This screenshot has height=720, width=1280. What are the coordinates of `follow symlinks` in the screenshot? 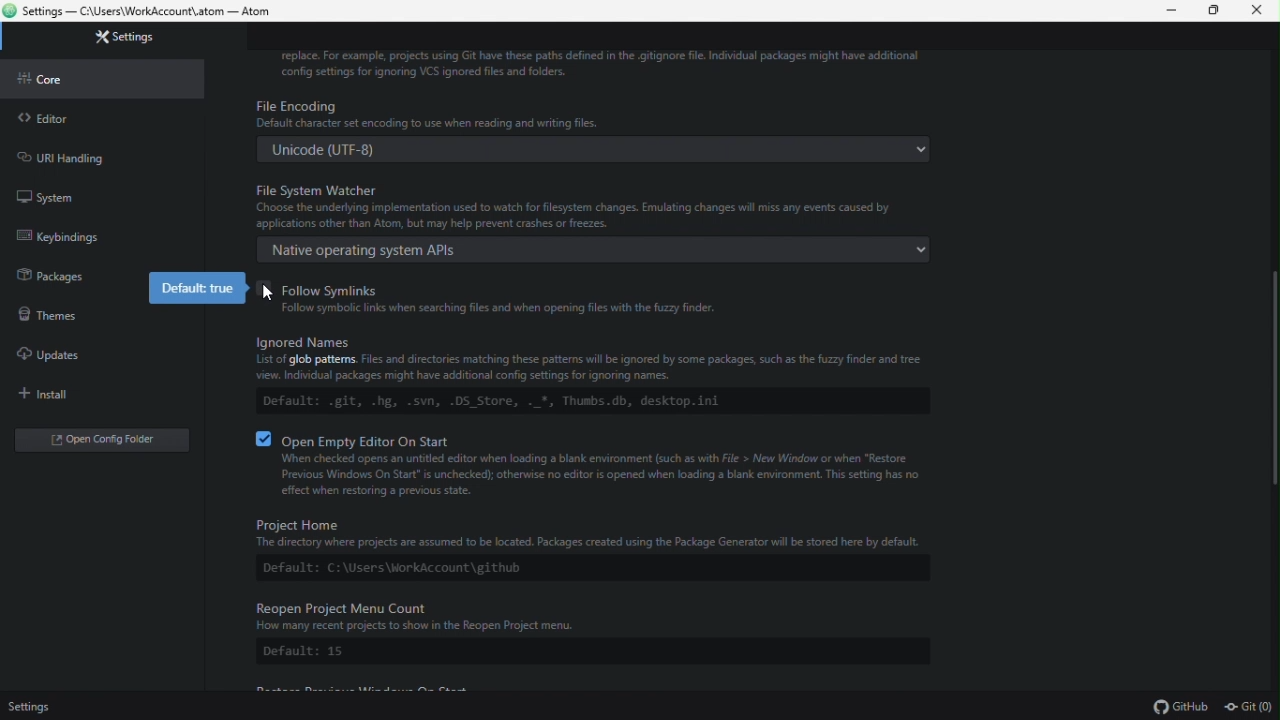 It's located at (609, 297).